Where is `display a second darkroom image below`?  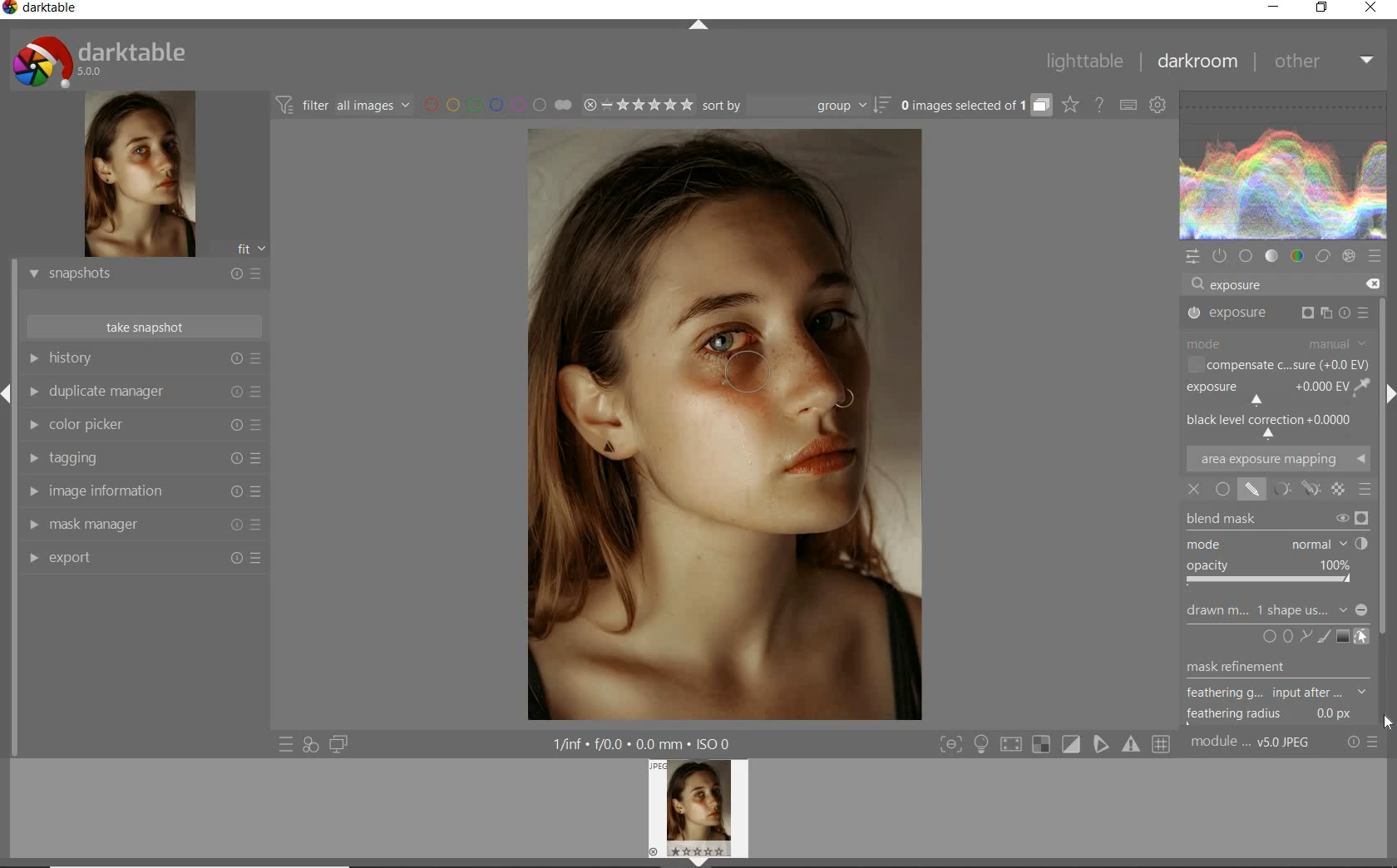
display a second darkroom image below is located at coordinates (335, 742).